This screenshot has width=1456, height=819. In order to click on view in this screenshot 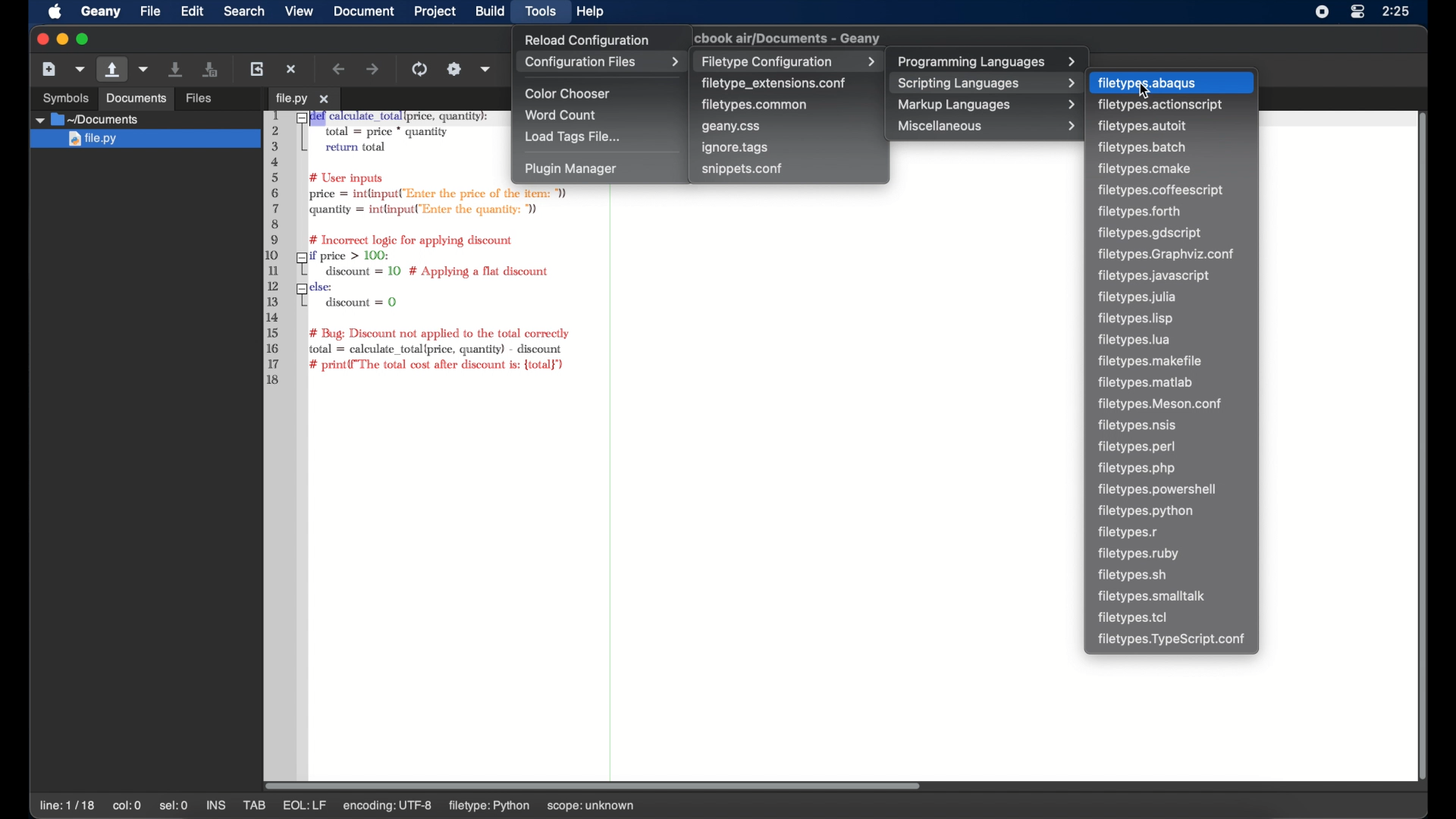, I will do `click(300, 11)`.